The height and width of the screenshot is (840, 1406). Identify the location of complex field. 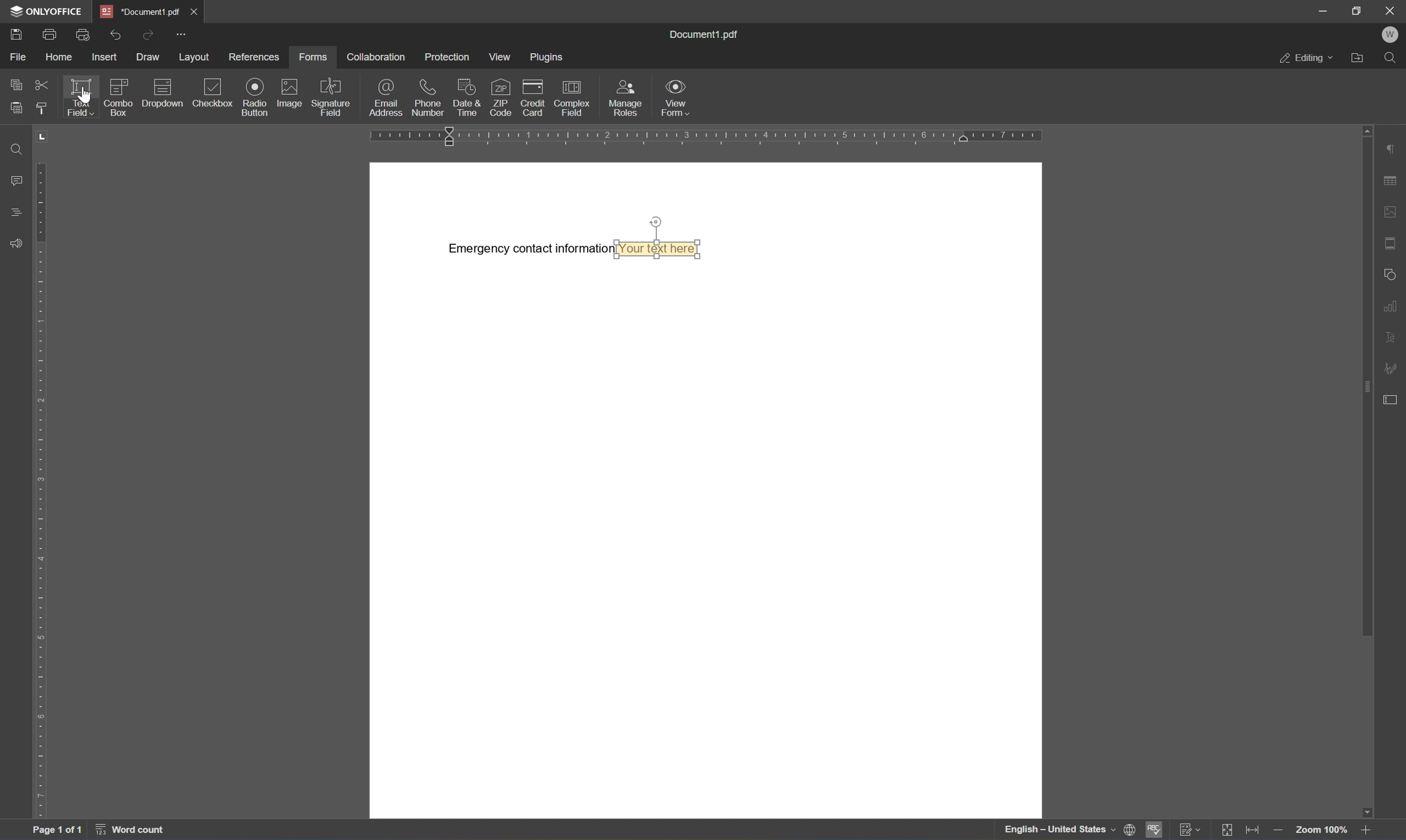
(573, 98).